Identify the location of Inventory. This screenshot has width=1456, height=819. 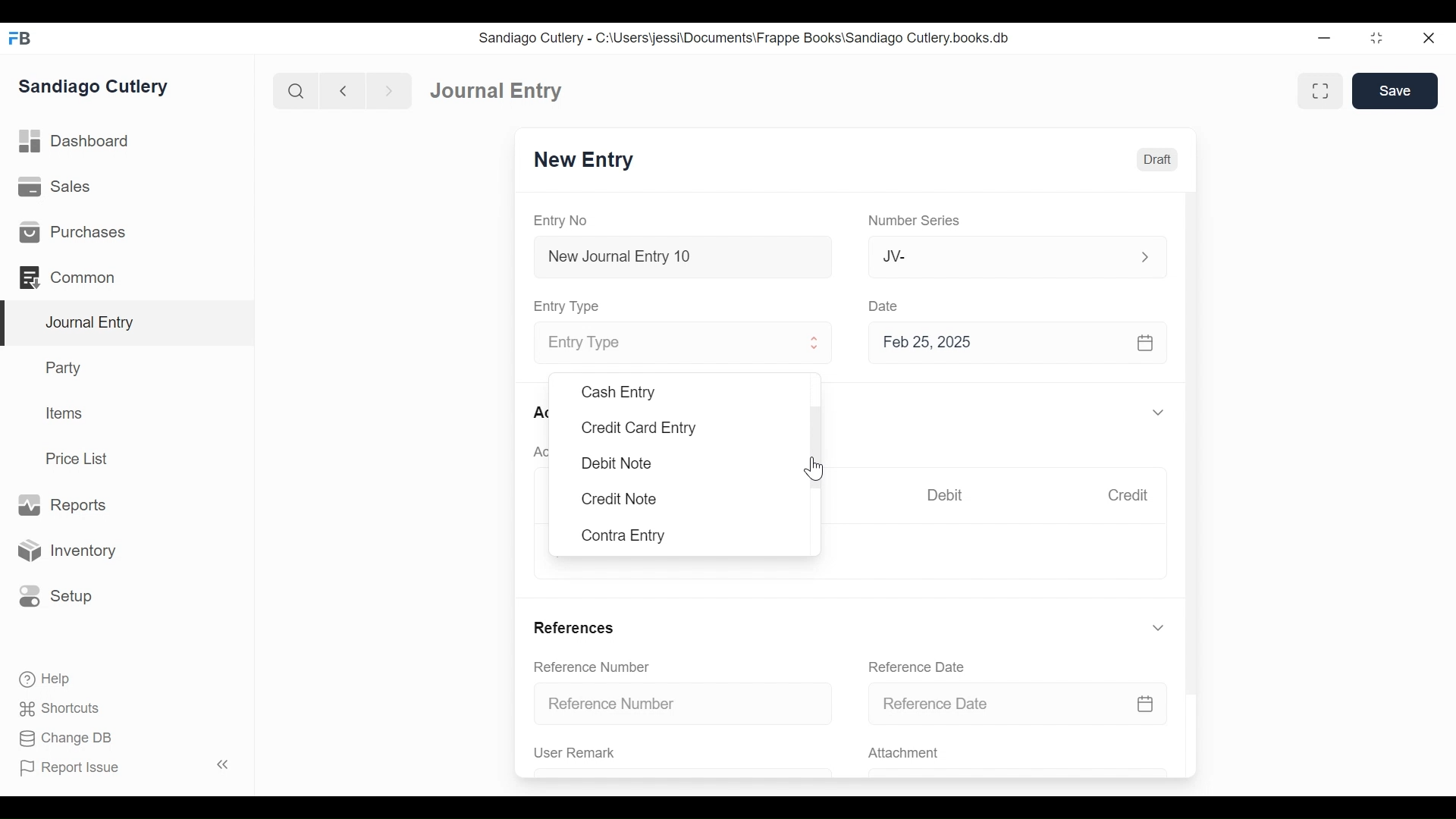
(71, 550).